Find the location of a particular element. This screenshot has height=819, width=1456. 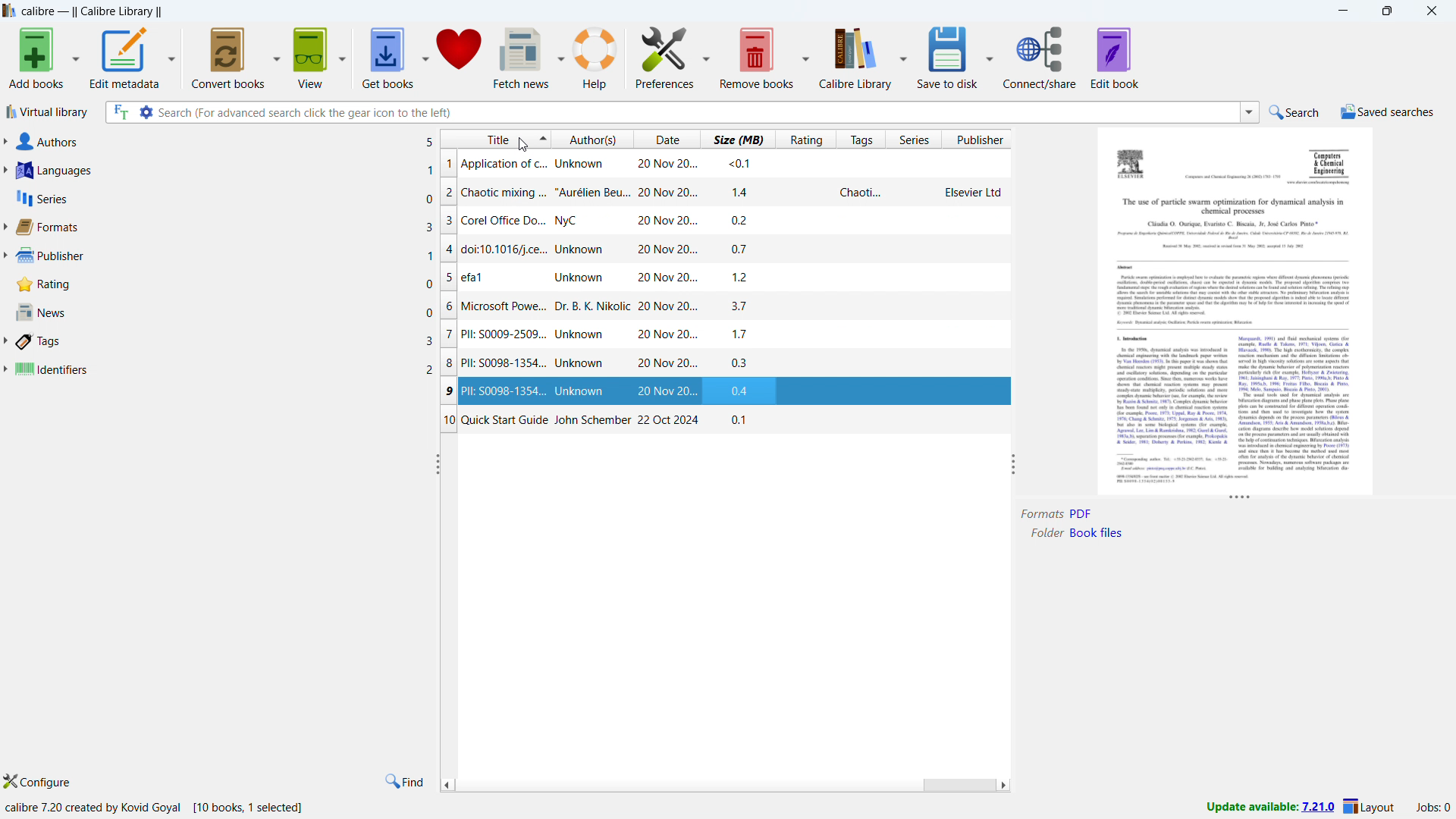

Application of c... Unknown 20 Nov 20... is located at coordinates (585, 165).